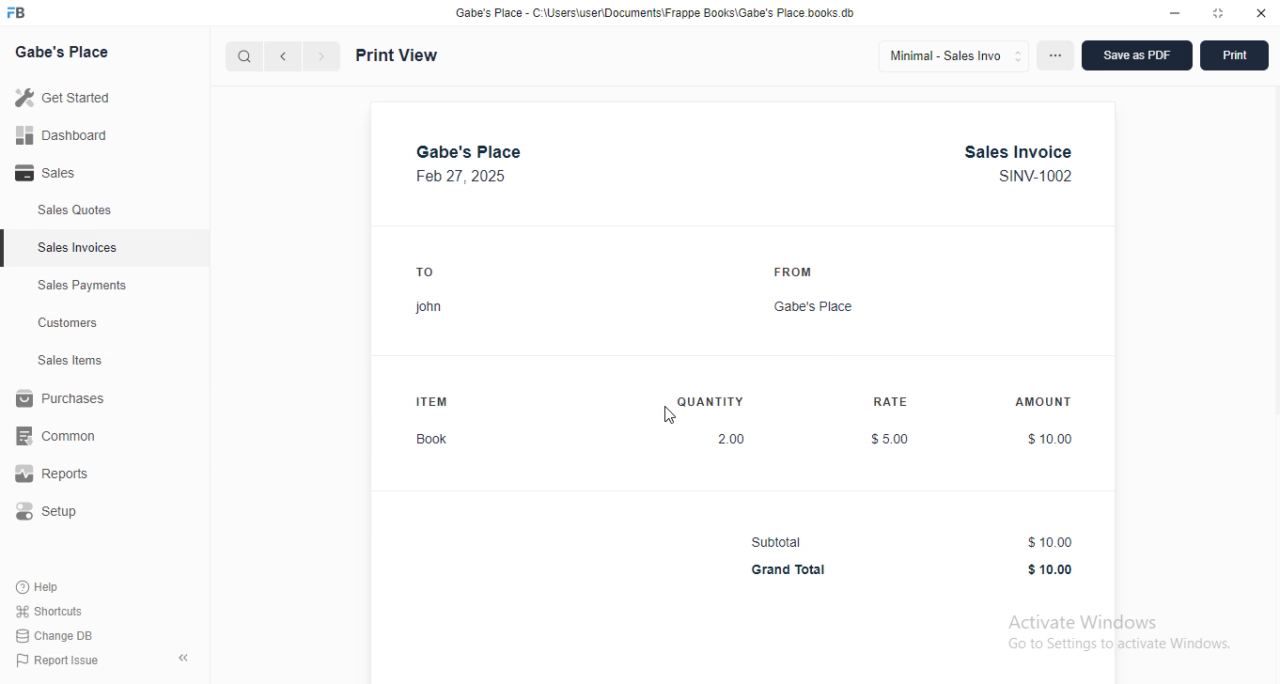 This screenshot has width=1280, height=684. What do you see at coordinates (433, 439) in the screenshot?
I see `Book` at bounding box center [433, 439].